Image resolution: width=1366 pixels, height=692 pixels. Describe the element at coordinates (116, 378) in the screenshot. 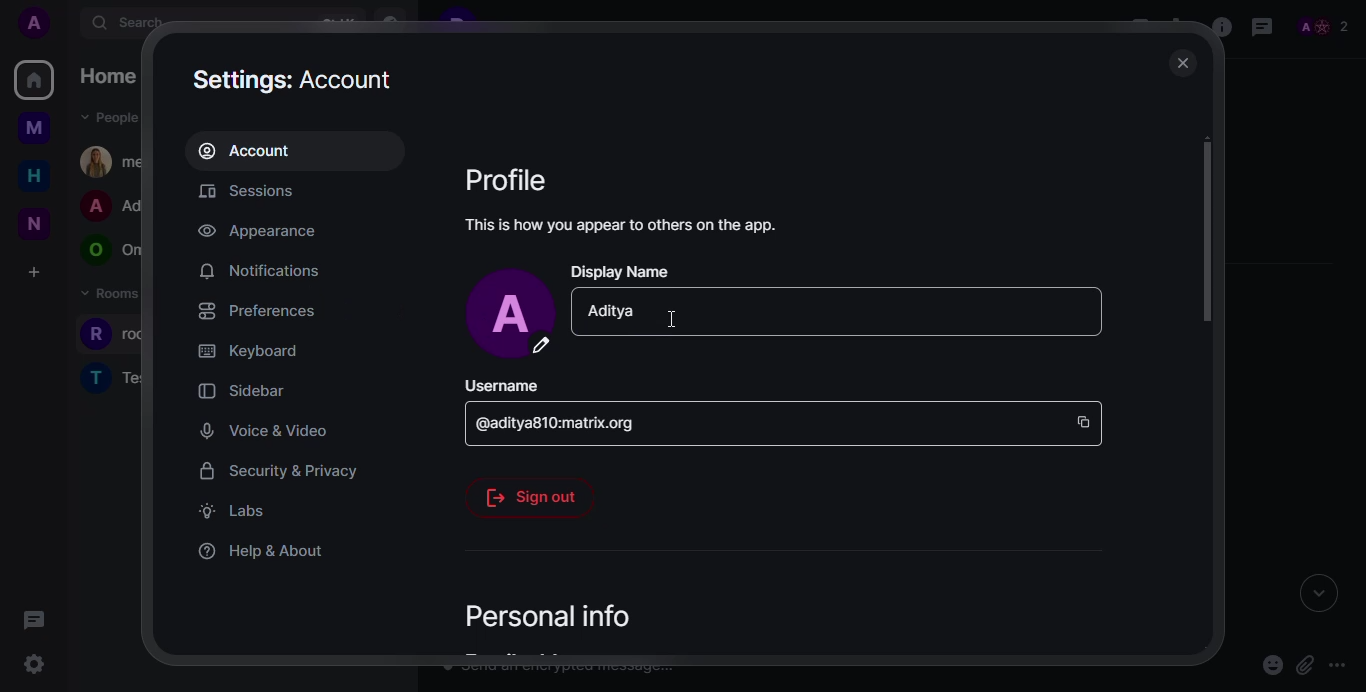

I see `rooms` at that location.